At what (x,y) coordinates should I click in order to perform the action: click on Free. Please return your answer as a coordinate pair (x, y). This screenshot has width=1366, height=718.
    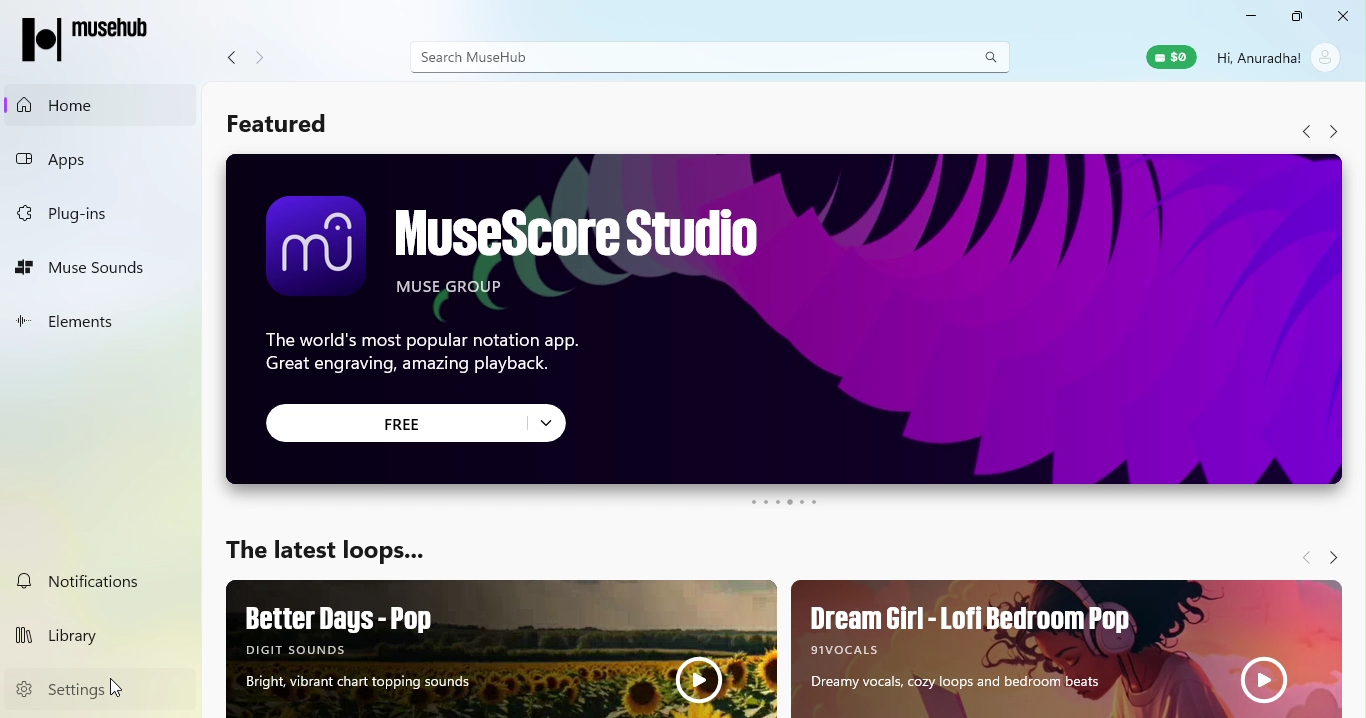
    Looking at the image, I should click on (416, 422).